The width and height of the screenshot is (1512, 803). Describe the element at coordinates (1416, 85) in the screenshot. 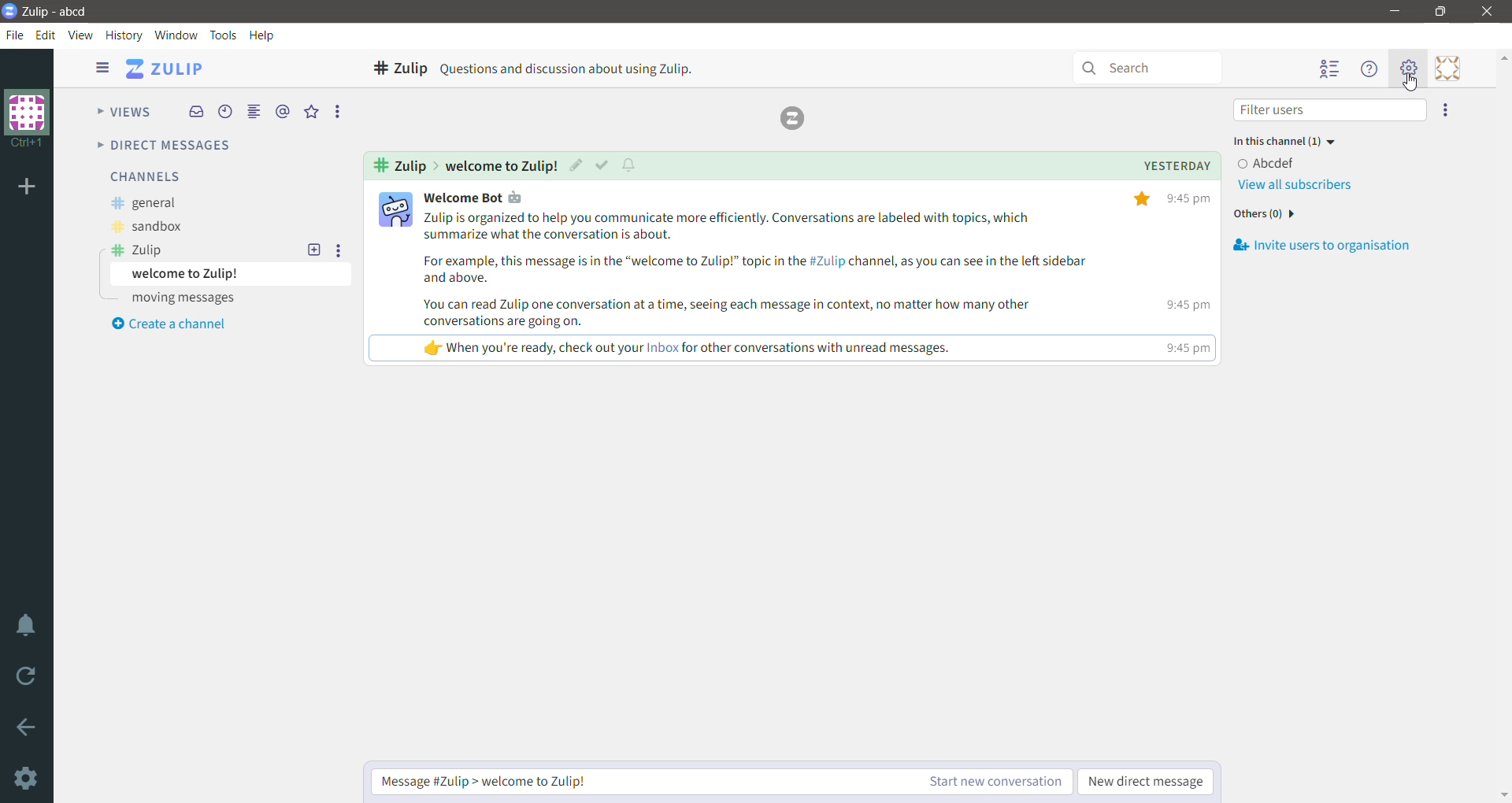

I see `Pointer` at that location.